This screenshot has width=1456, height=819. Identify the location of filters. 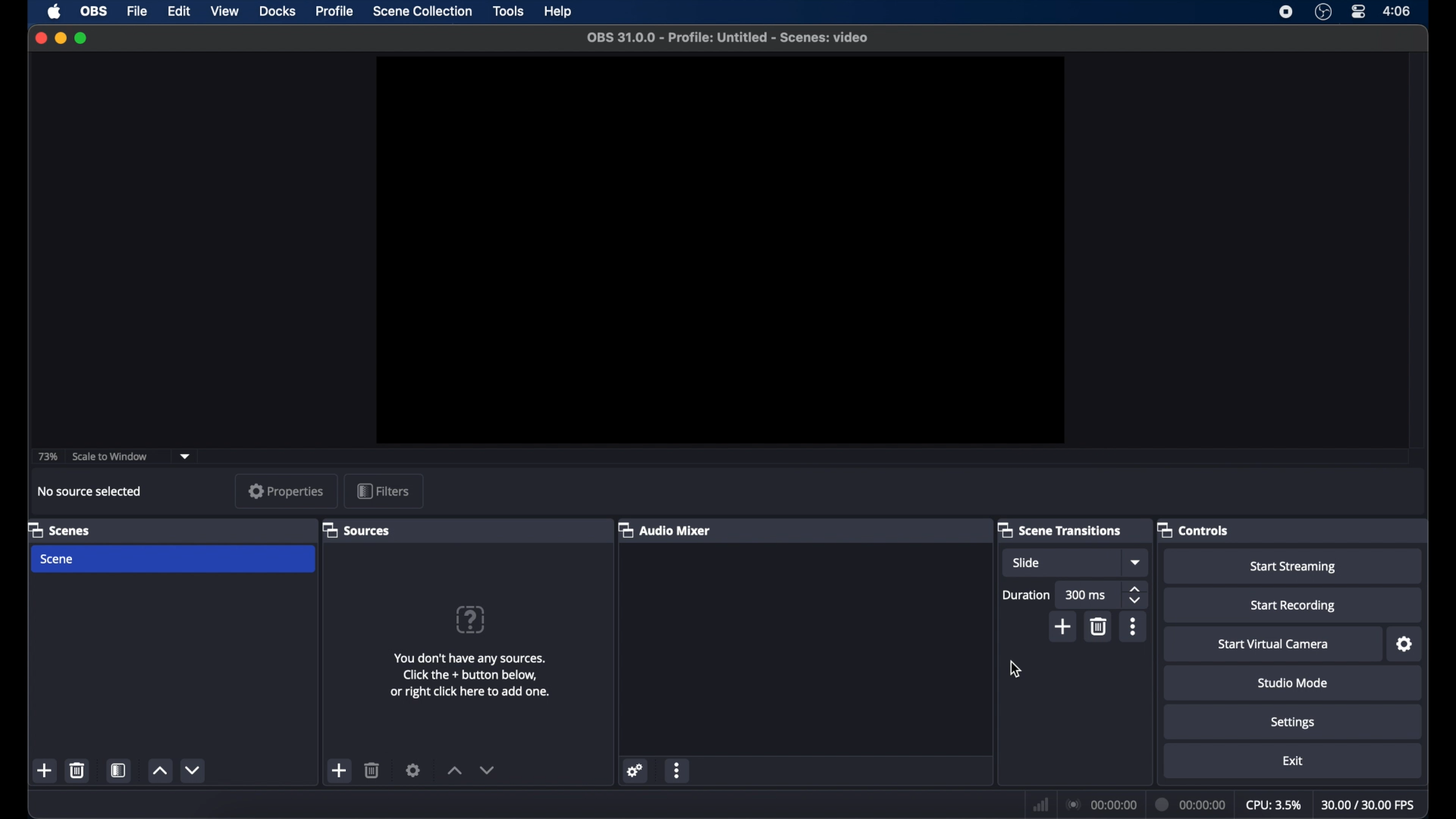
(382, 490).